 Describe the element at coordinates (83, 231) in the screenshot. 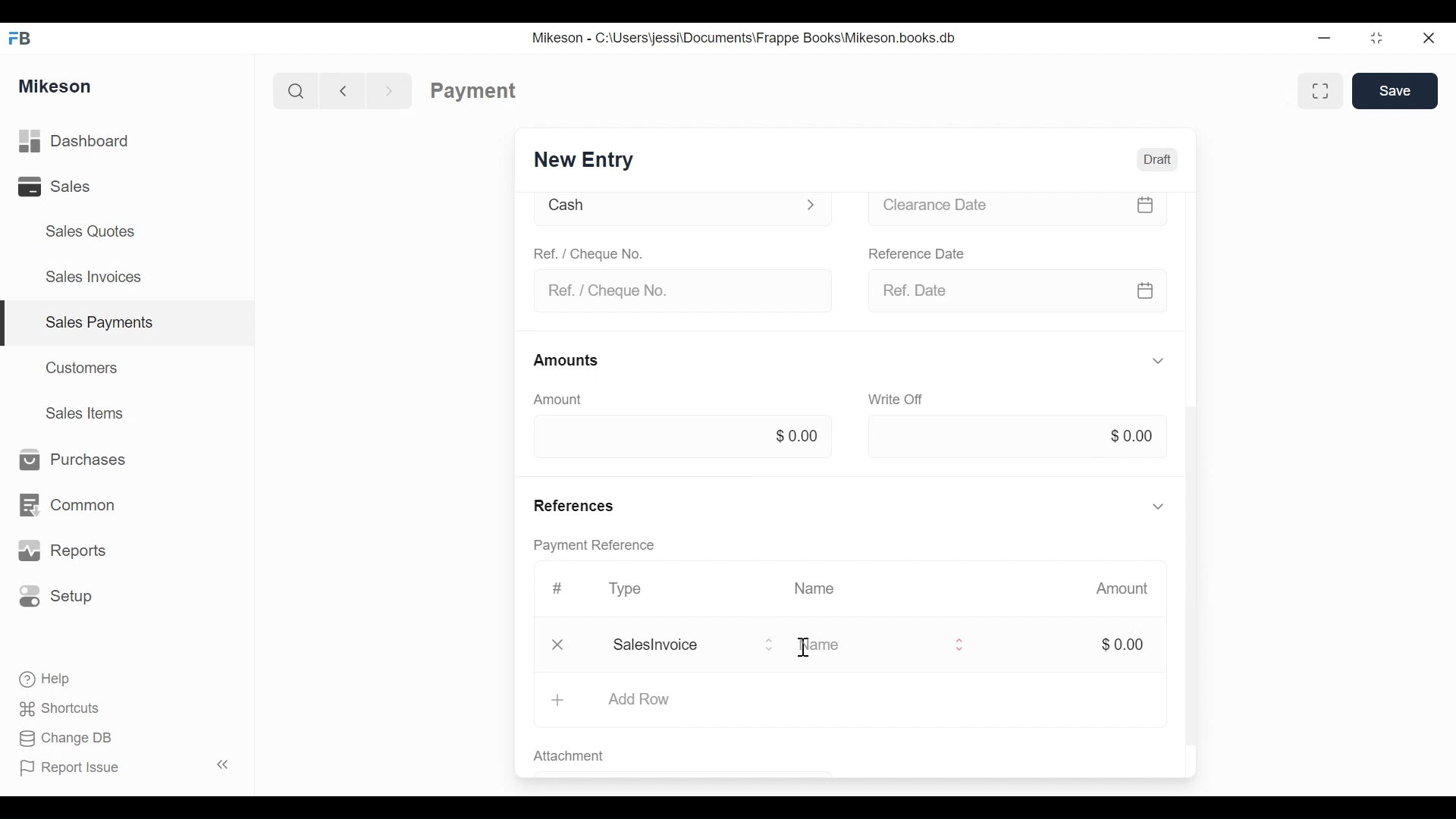

I see `Sales Quotes` at that location.